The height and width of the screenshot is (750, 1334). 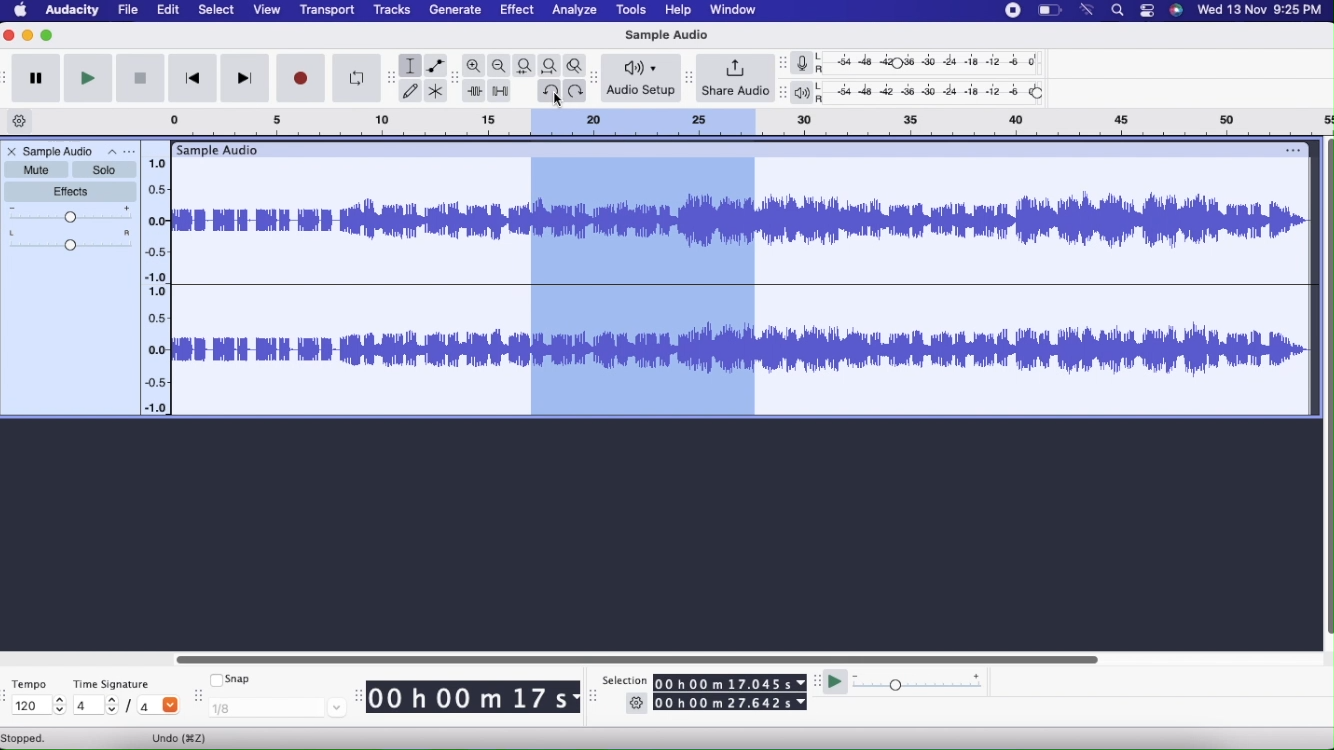 I want to click on Minimize, so click(x=29, y=36).